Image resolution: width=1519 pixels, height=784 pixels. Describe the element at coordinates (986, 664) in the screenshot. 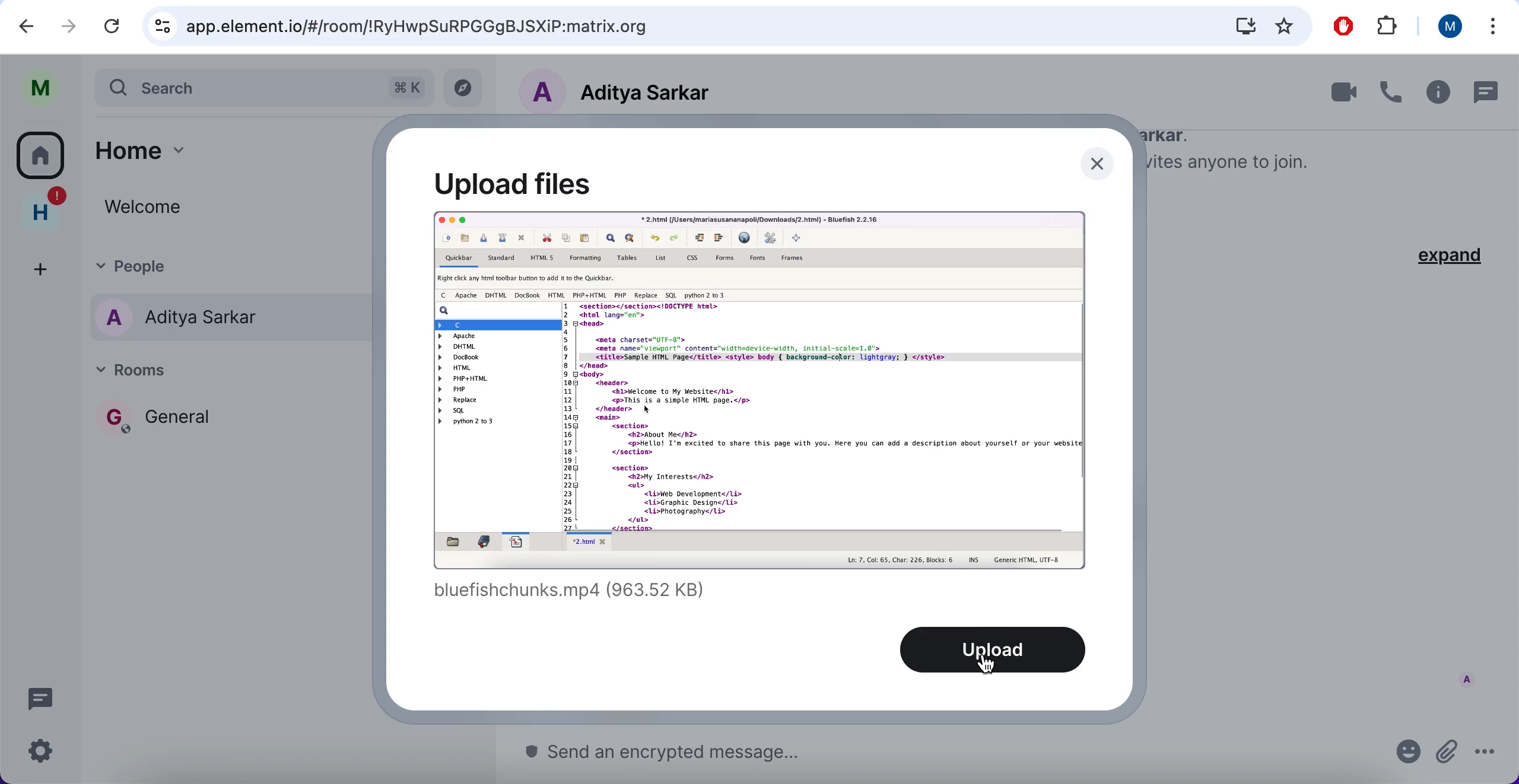

I see `cursor` at that location.